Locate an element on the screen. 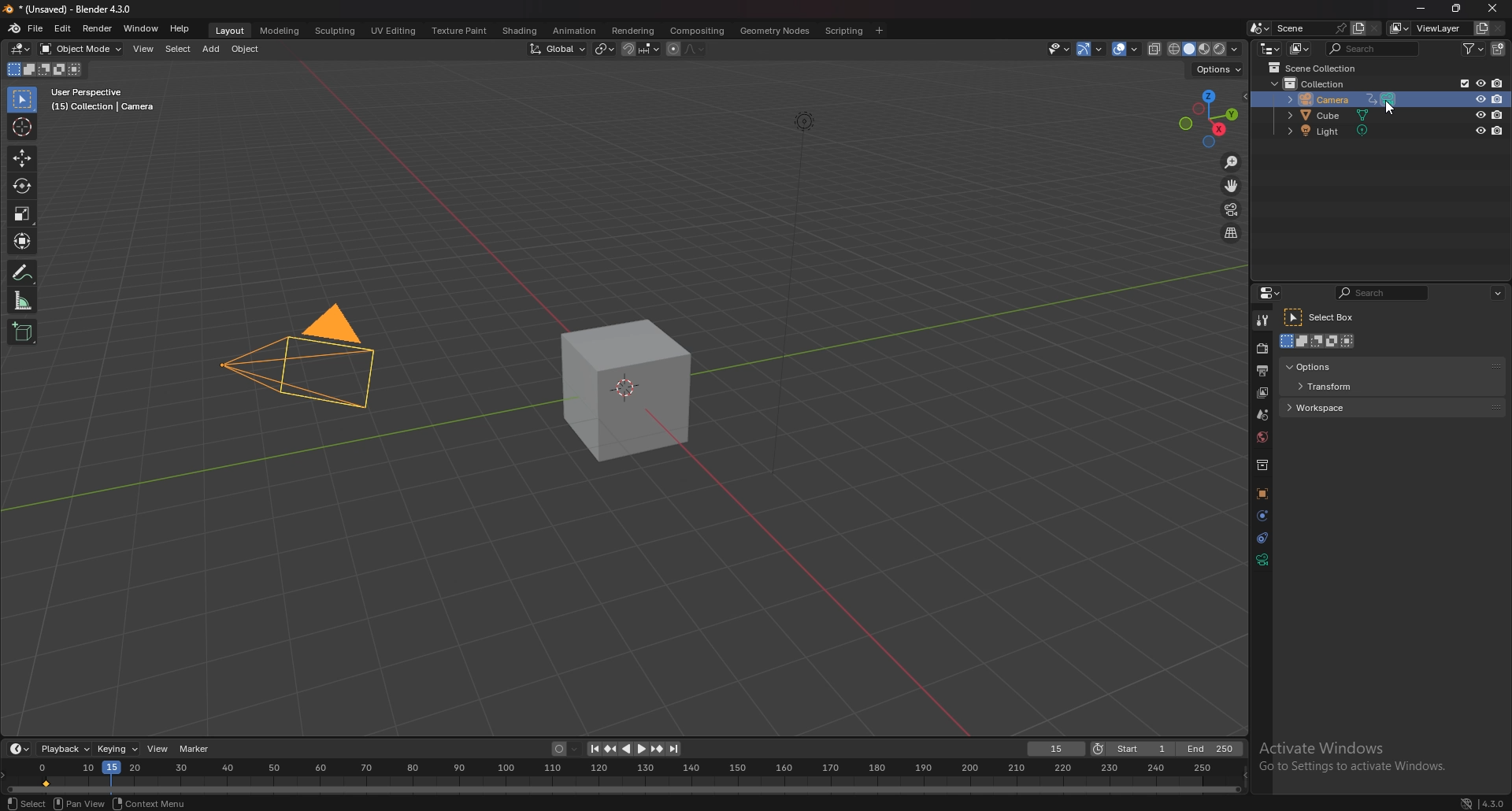 The image size is (1512, 811). mode is located at coordinates (44, 69).